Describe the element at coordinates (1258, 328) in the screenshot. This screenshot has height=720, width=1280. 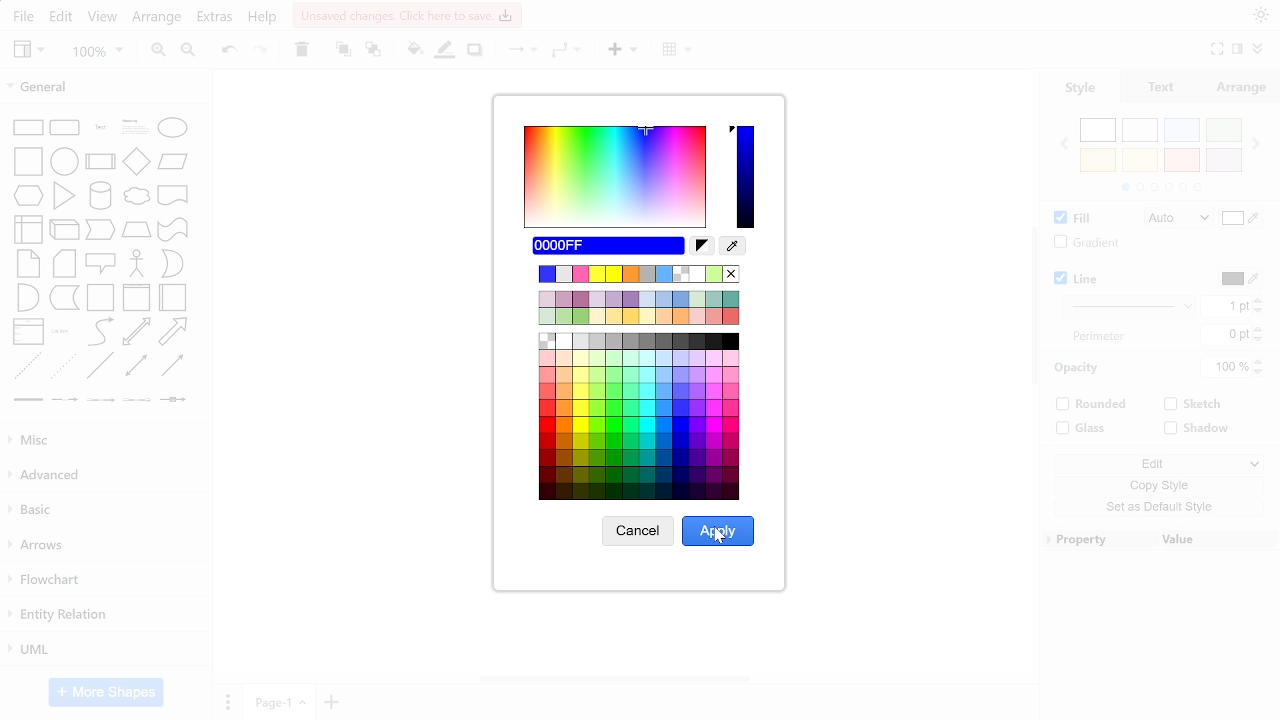
I see `increase perimeter` at that location.